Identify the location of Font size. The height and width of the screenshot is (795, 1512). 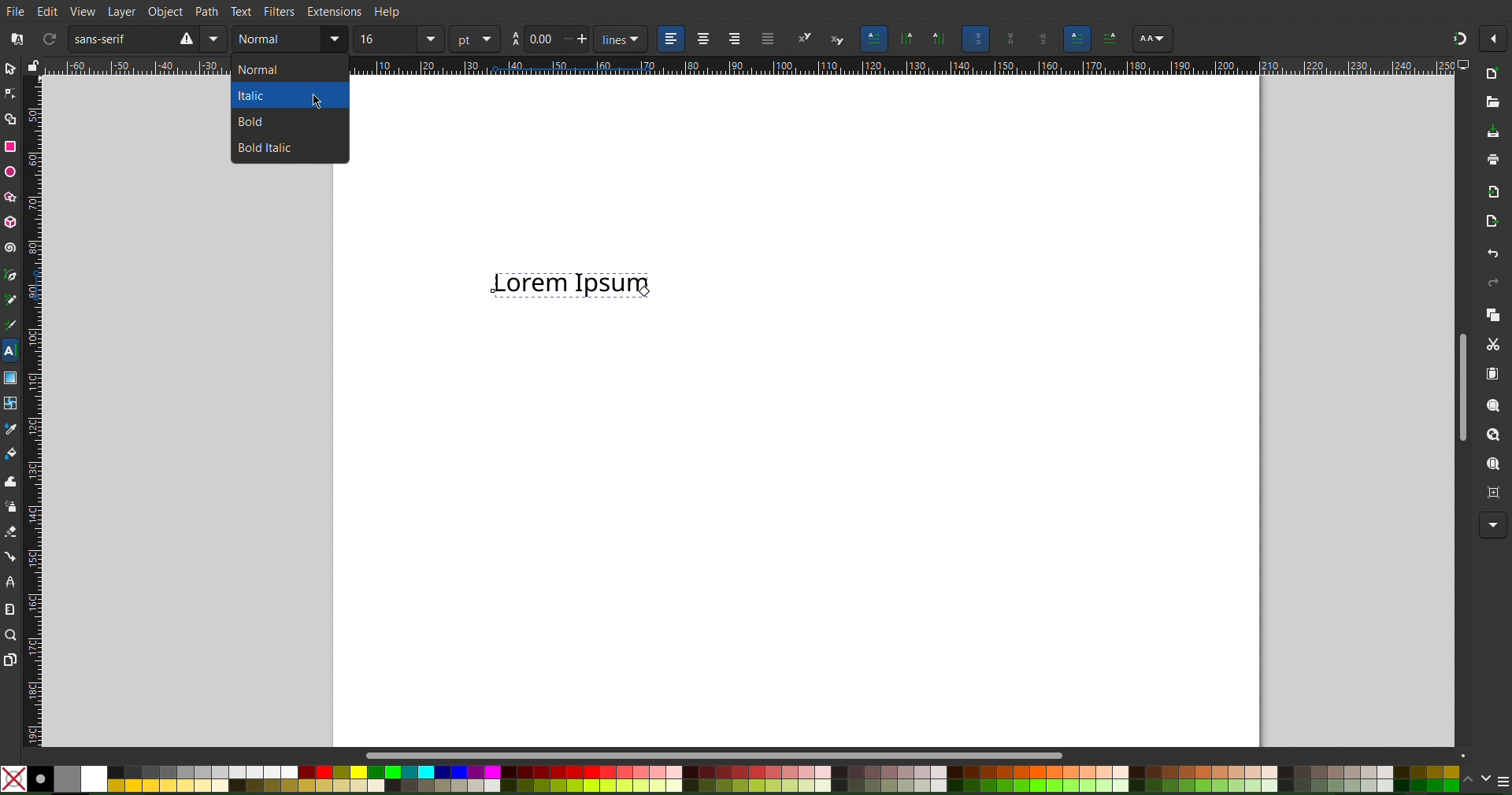
(398, 39).